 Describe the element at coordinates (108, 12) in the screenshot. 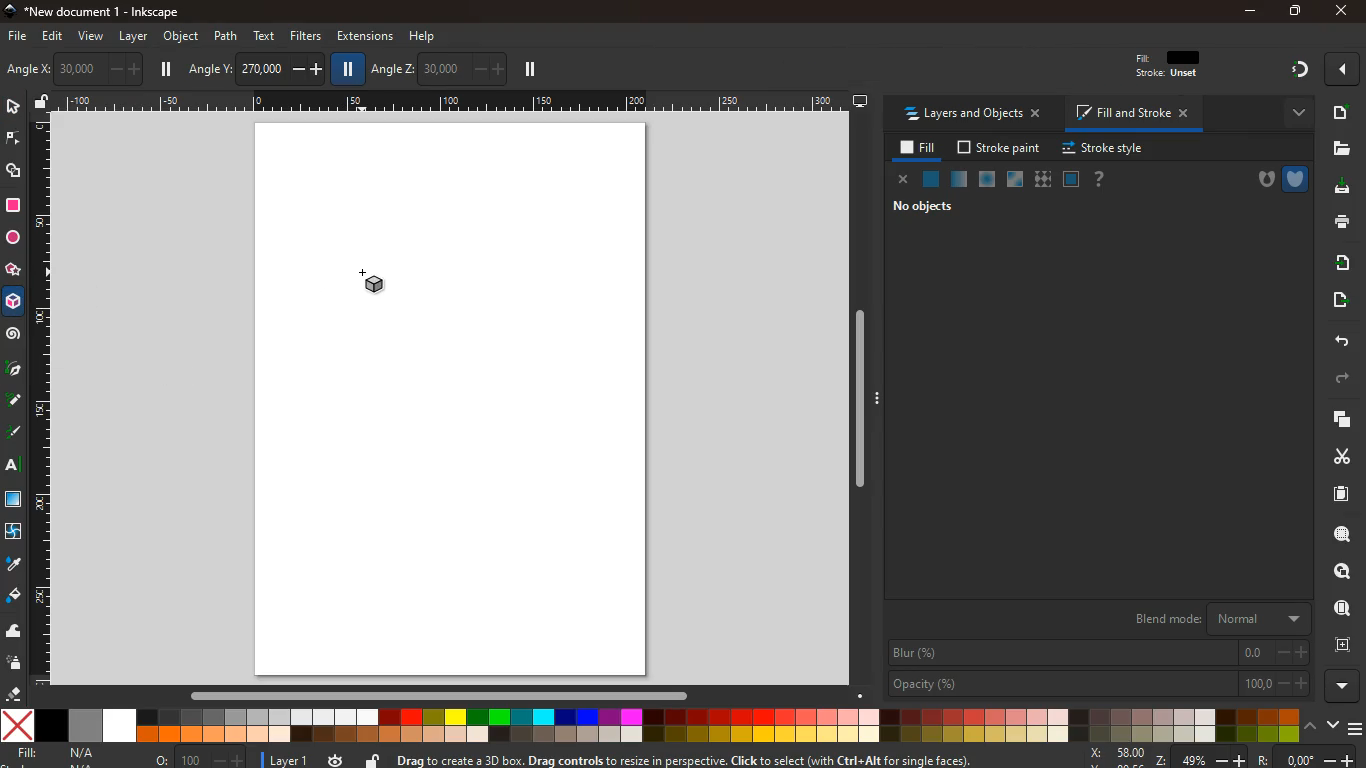

I see `inkscape` at that location.